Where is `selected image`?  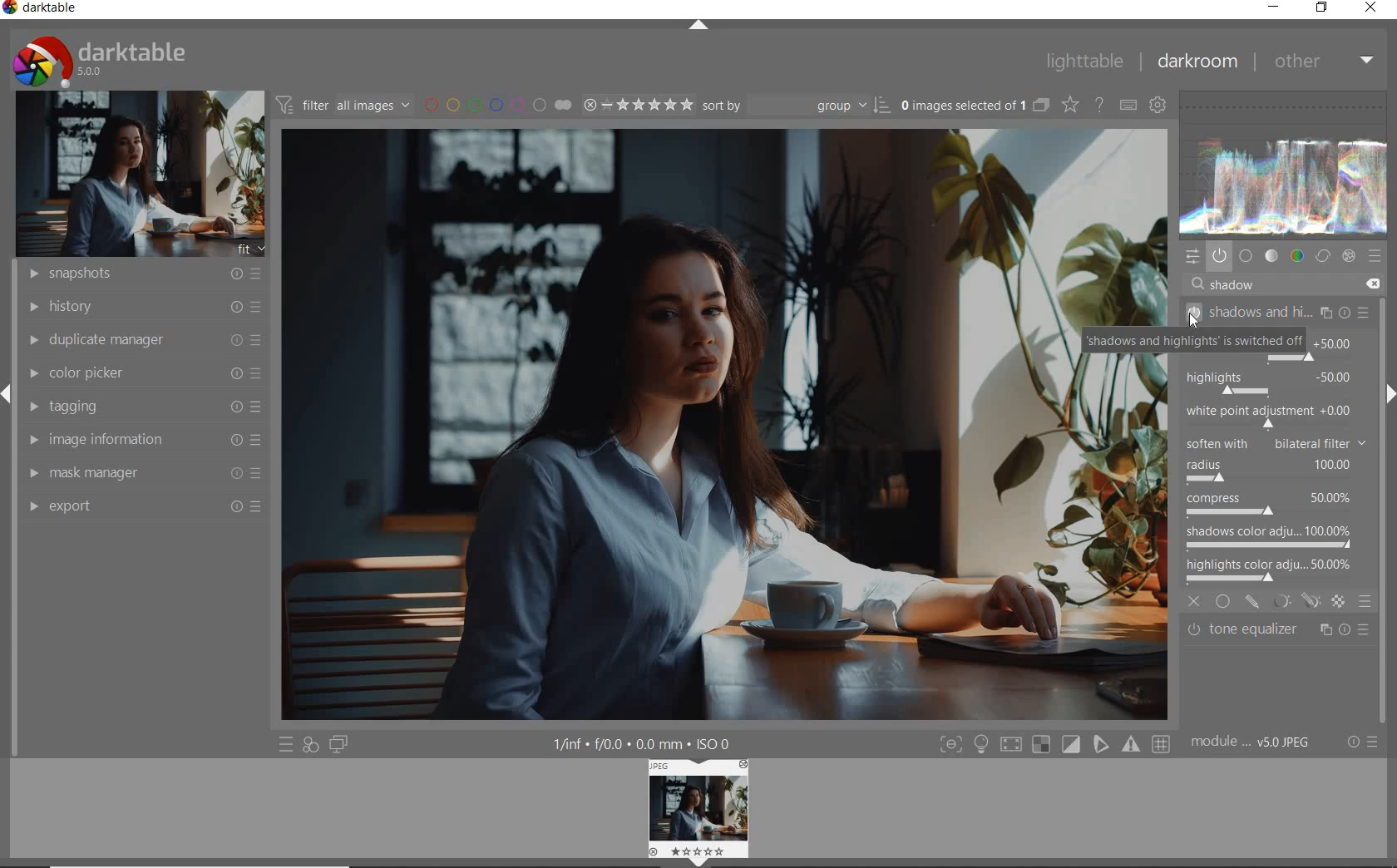 selected image is located at coordinates (659, 426).